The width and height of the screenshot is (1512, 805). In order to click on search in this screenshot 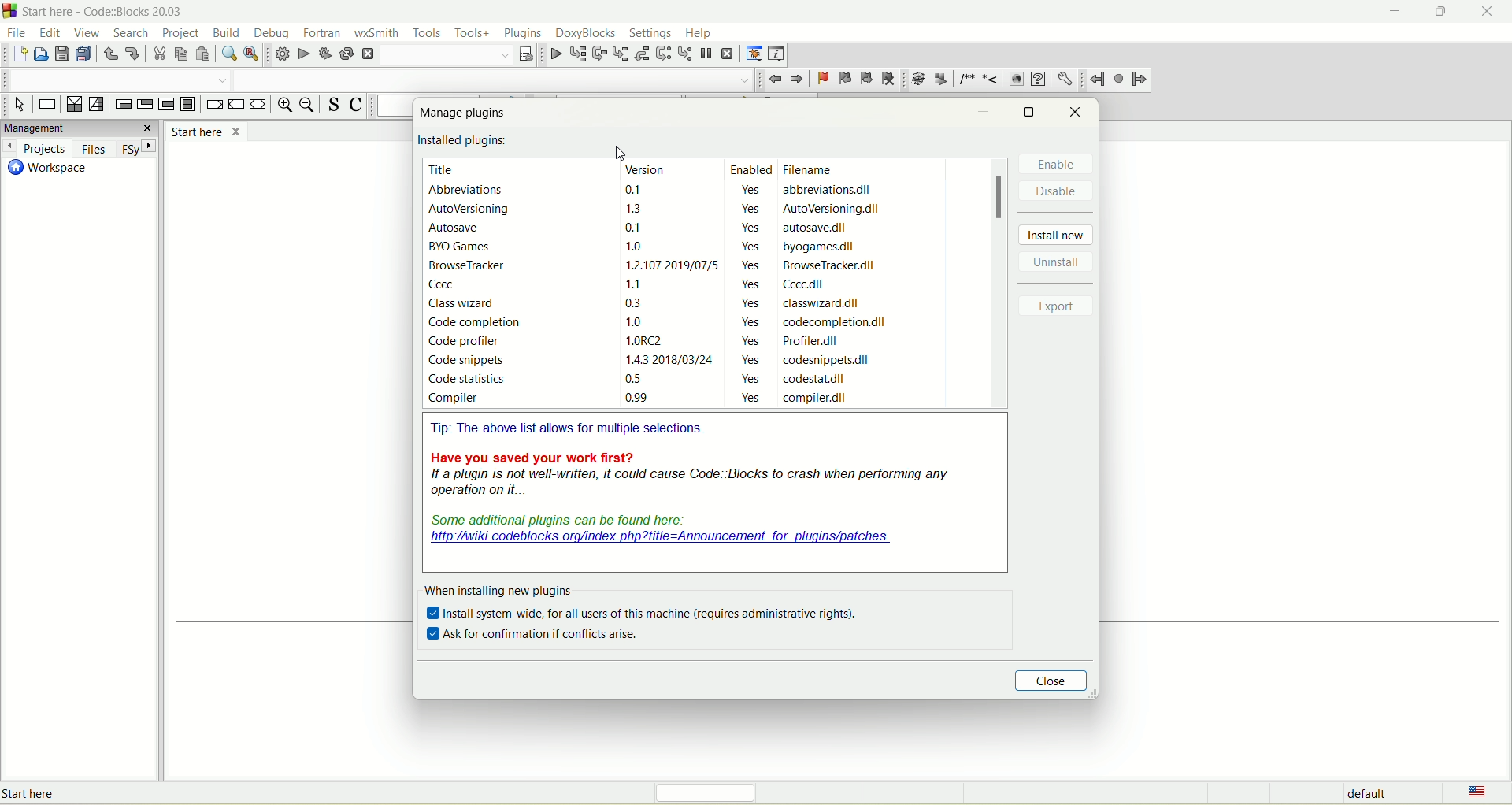, I will do `click(134, 34)`.